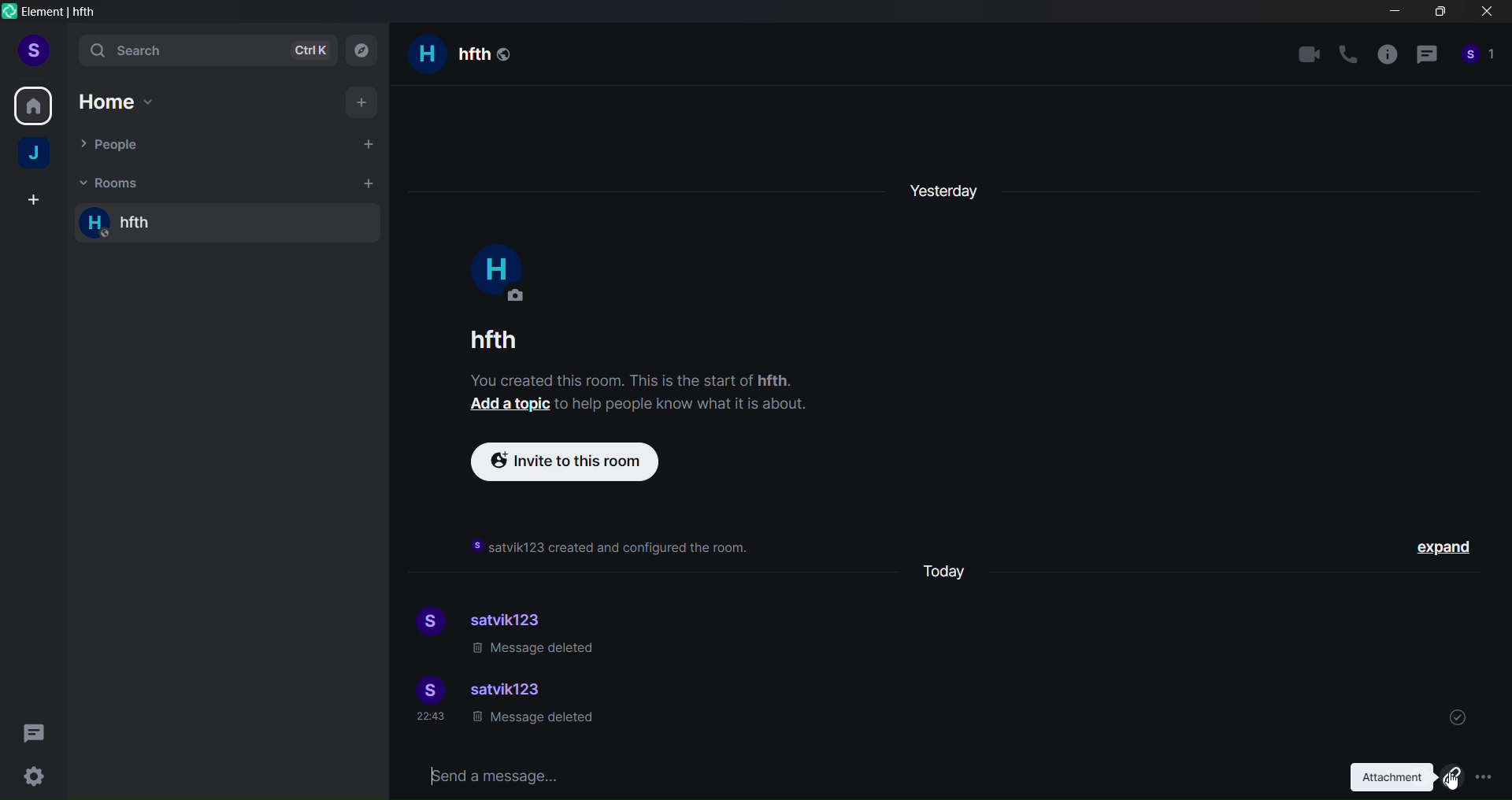 The height and width of the screenshot is (800, 1512). I want to click on name, so click(490, 339).